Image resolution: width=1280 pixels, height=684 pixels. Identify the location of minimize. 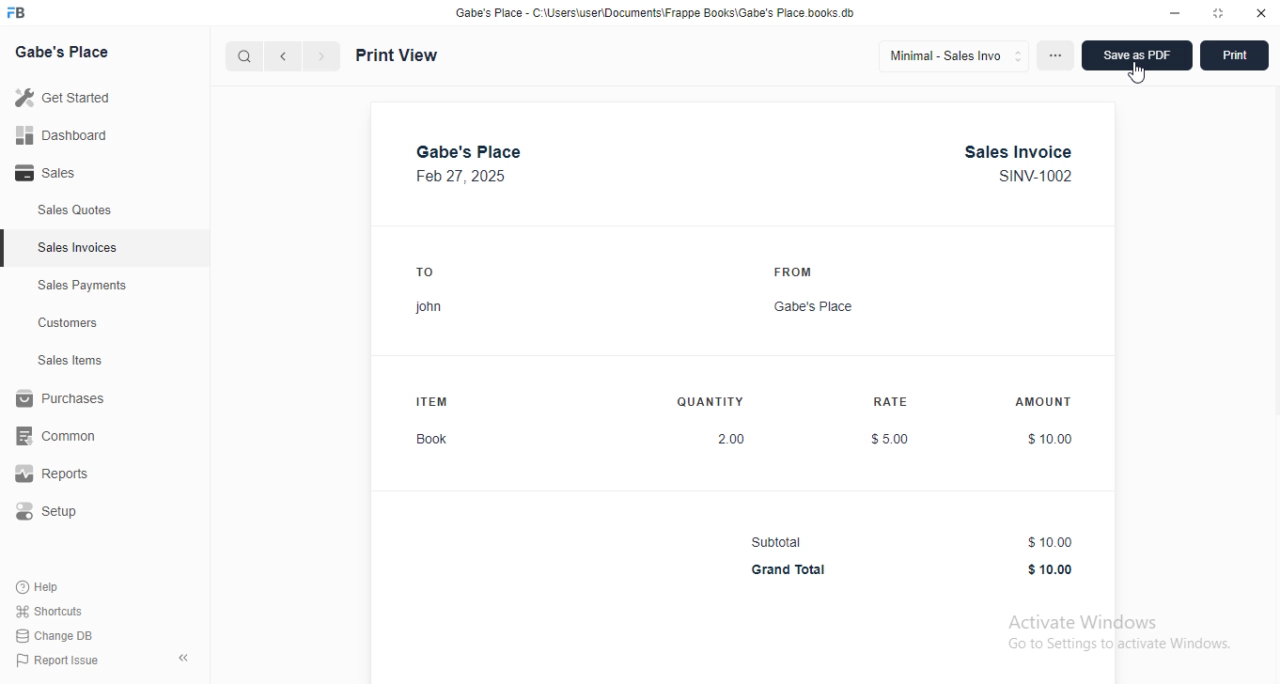
(1175, 13).